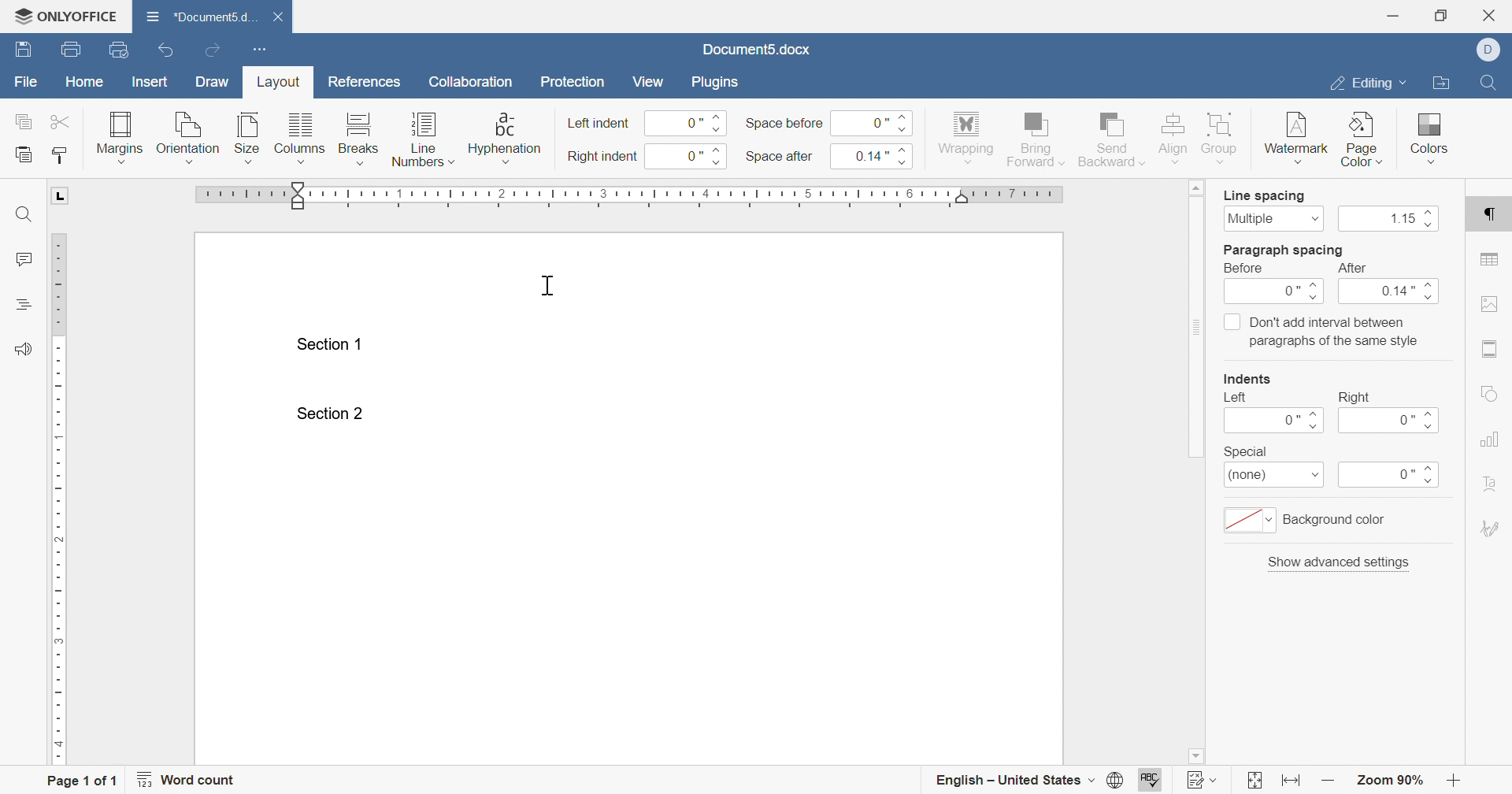 The width and height of the screenshot is (1512, 794). I want to click on show advanced settings, so click(1340, 562).